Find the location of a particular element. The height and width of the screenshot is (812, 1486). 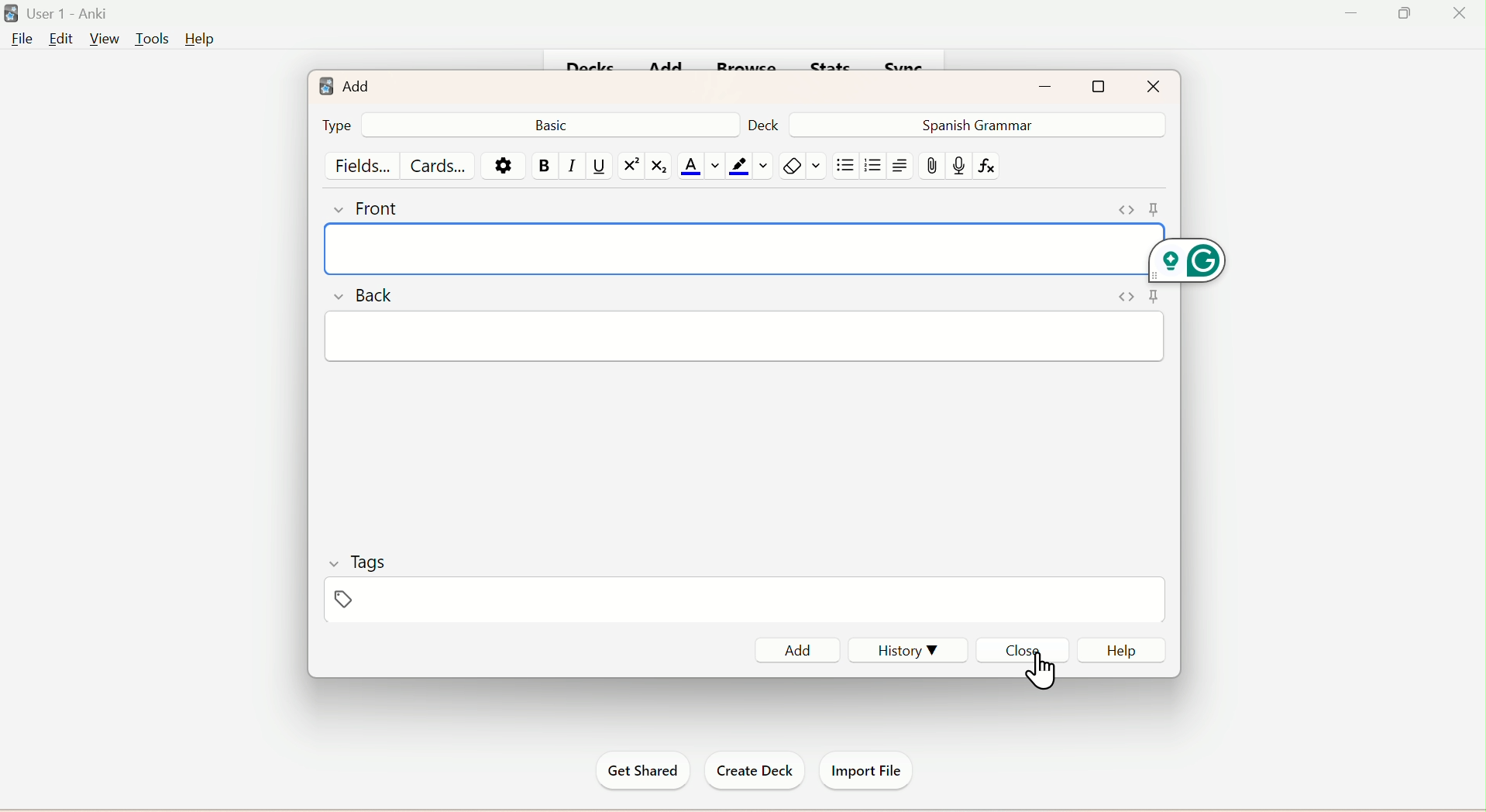

Rubber is located at coordinates (805, 167).